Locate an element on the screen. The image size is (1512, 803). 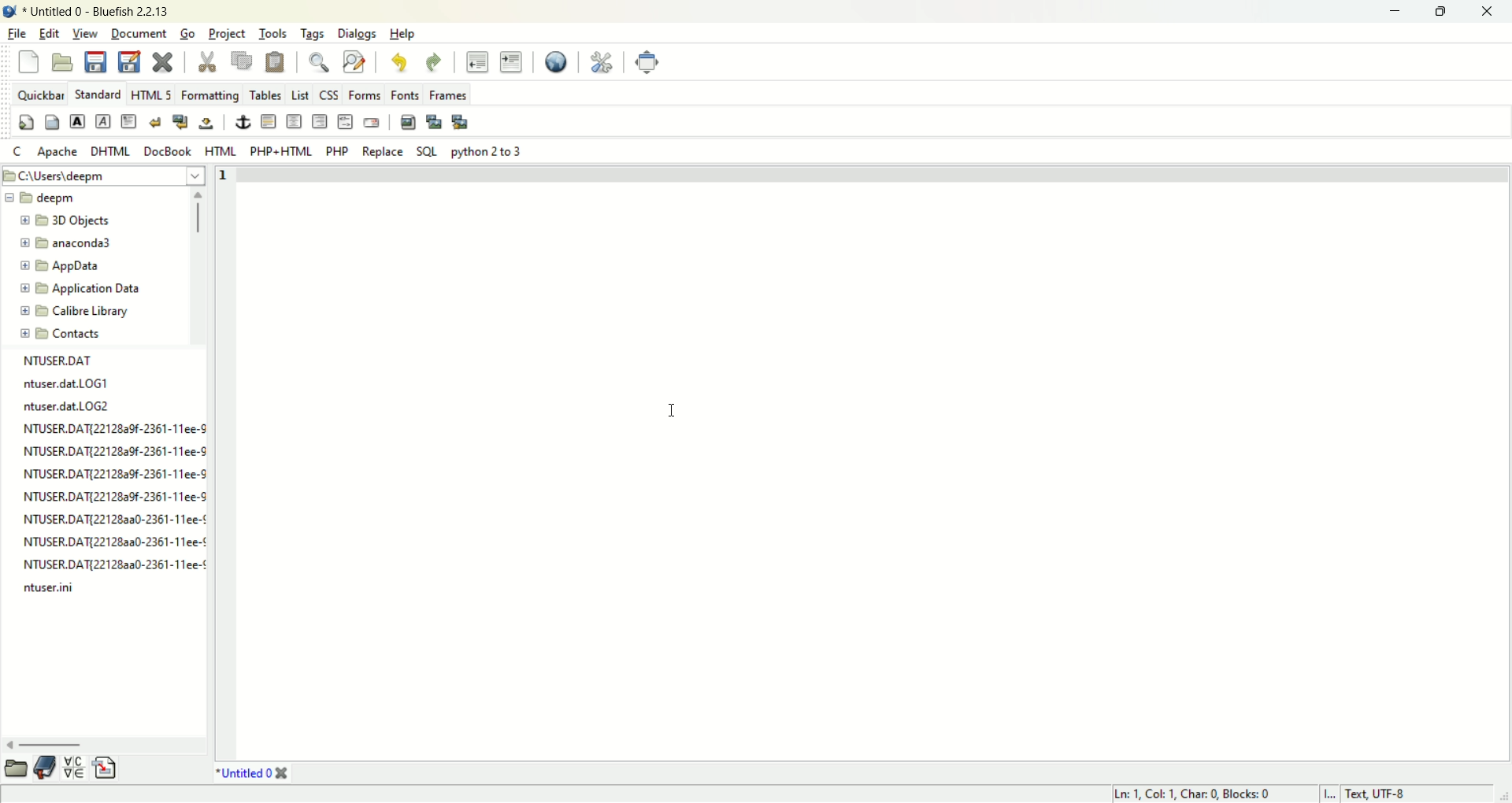
standard is located at coordinates (98, 95).